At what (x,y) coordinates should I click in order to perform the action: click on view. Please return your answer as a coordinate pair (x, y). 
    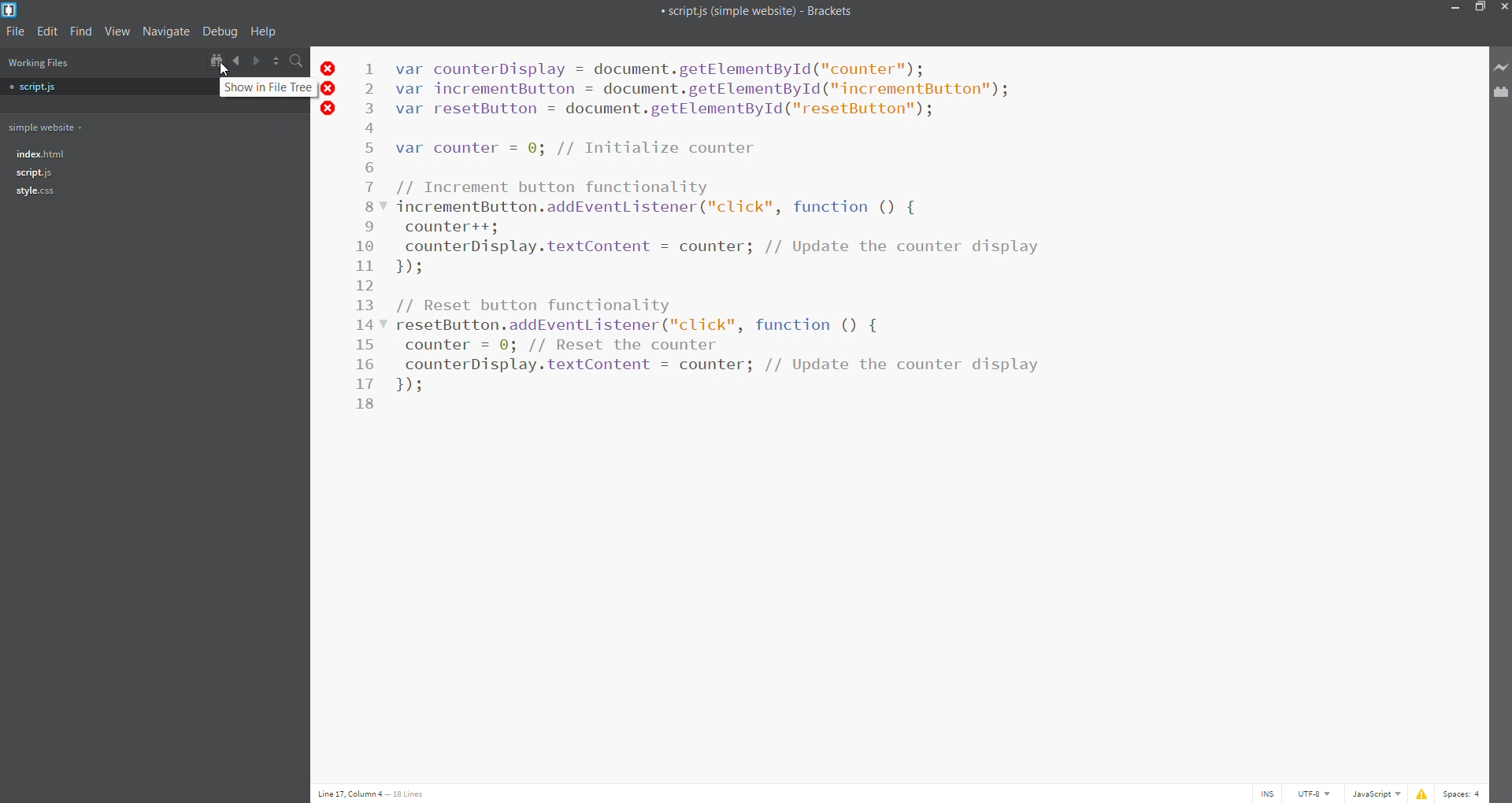
    Looking at the image, I should click on (115, 32).